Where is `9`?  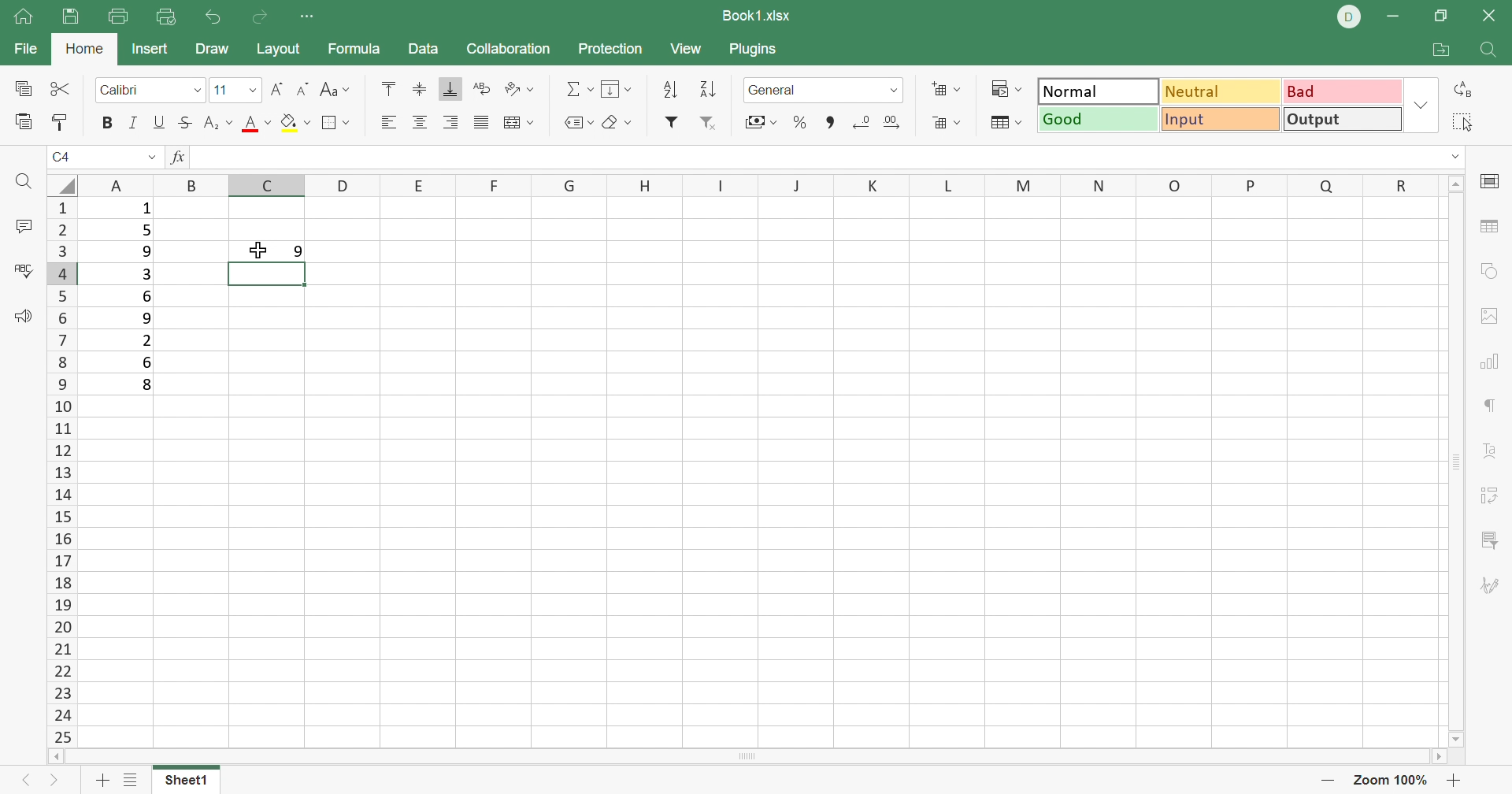 9 is located at coordinates (295, 251).